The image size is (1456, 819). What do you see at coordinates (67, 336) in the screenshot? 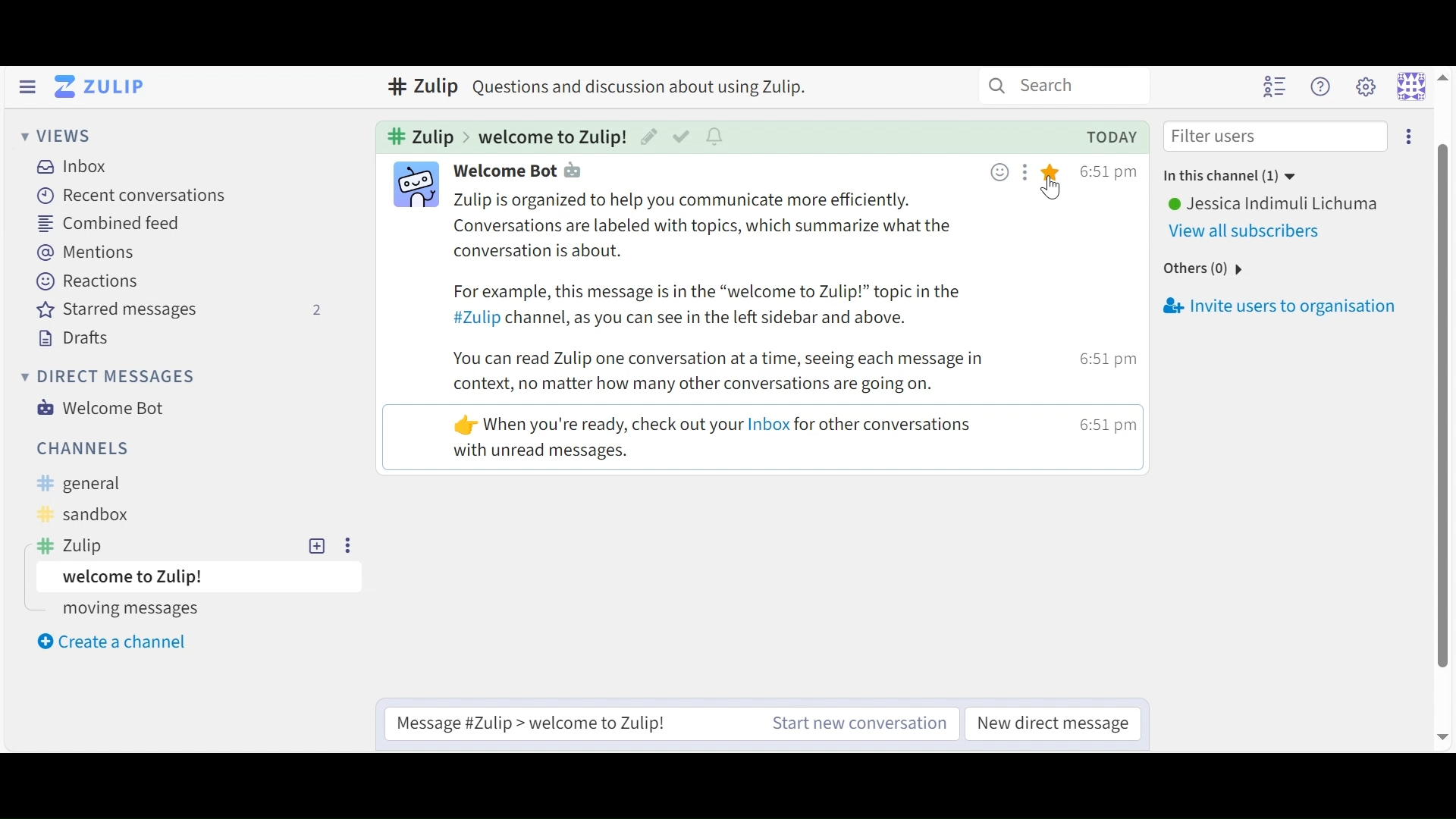
I see `Drafts` at bounding box center [67, 336].